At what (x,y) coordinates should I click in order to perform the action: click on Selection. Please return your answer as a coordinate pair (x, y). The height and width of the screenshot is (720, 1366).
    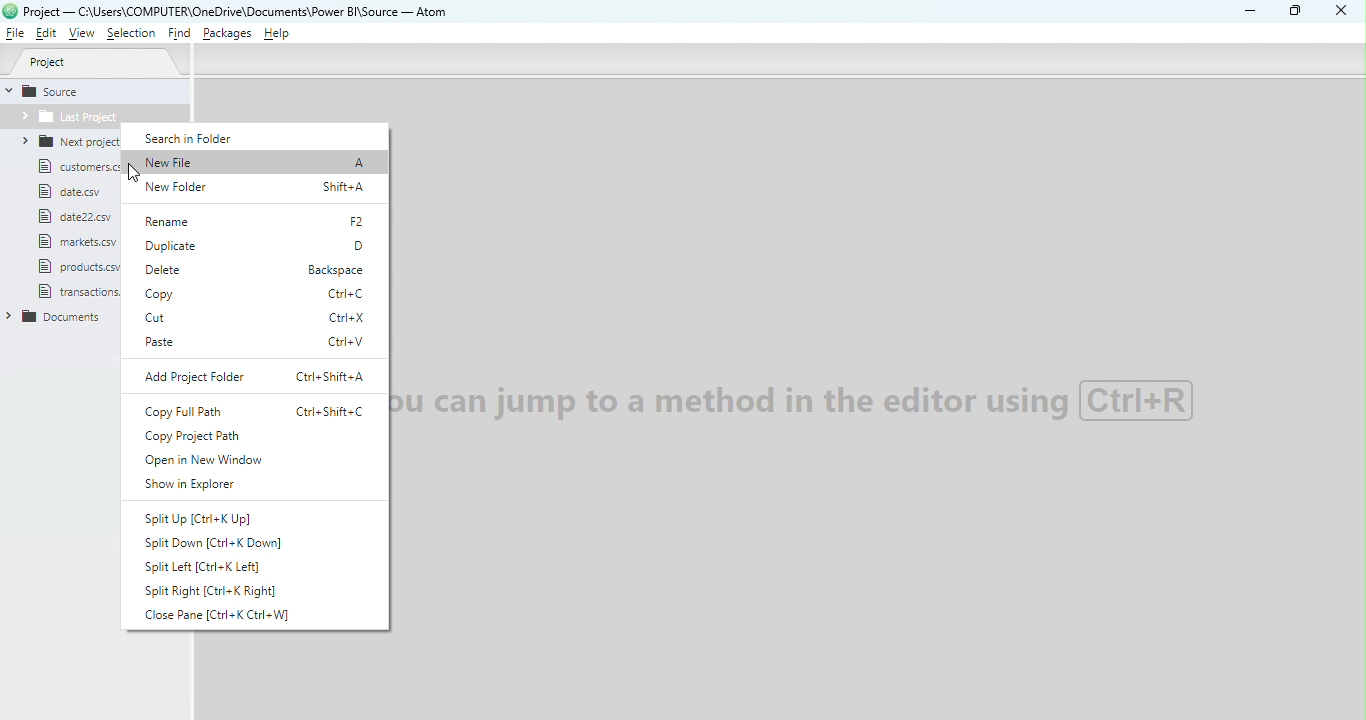
    Looking at the image, I should click on (131, 34).